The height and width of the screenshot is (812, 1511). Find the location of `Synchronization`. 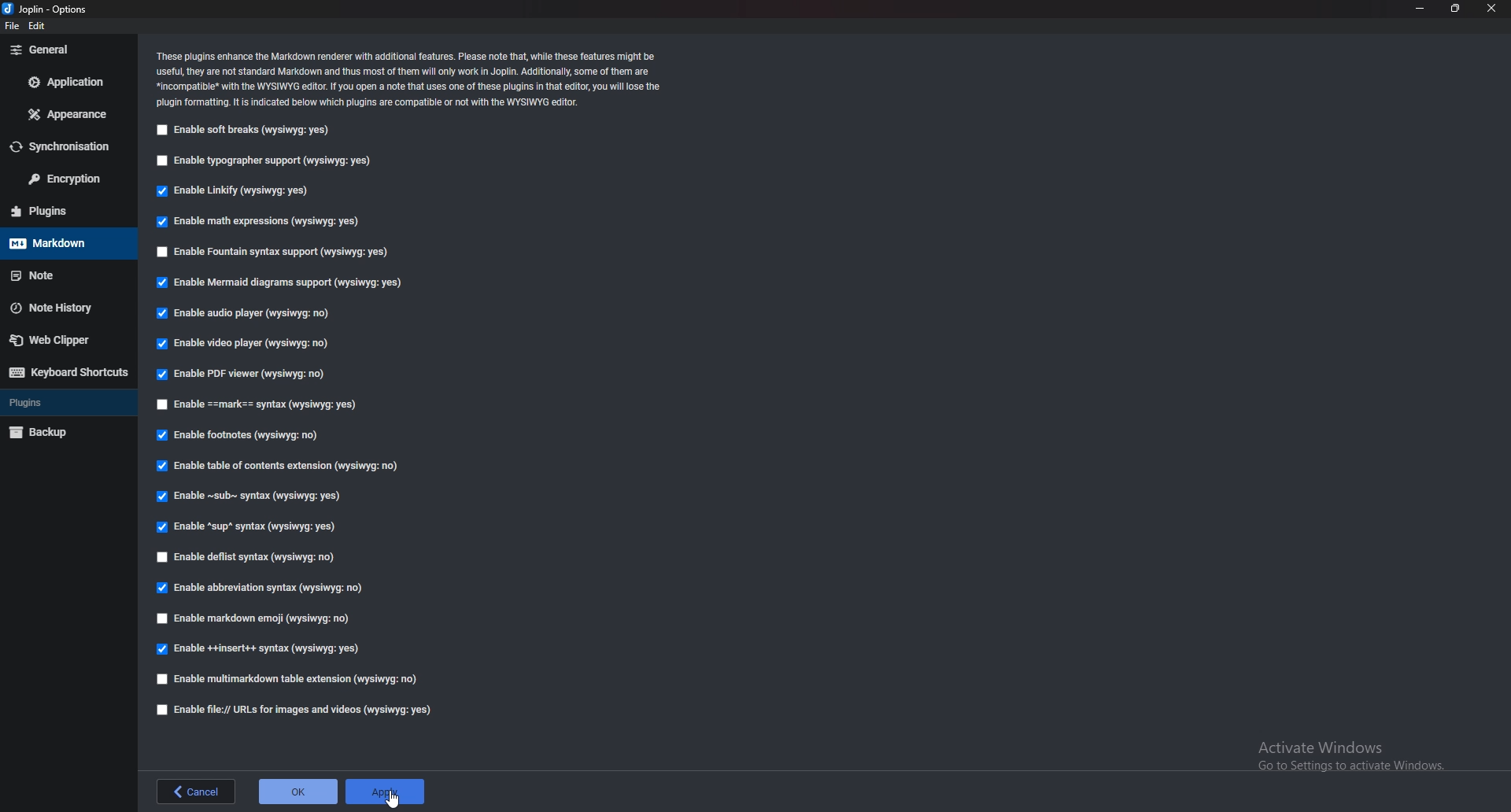

Synchronization is located at coordinates (68, 147).